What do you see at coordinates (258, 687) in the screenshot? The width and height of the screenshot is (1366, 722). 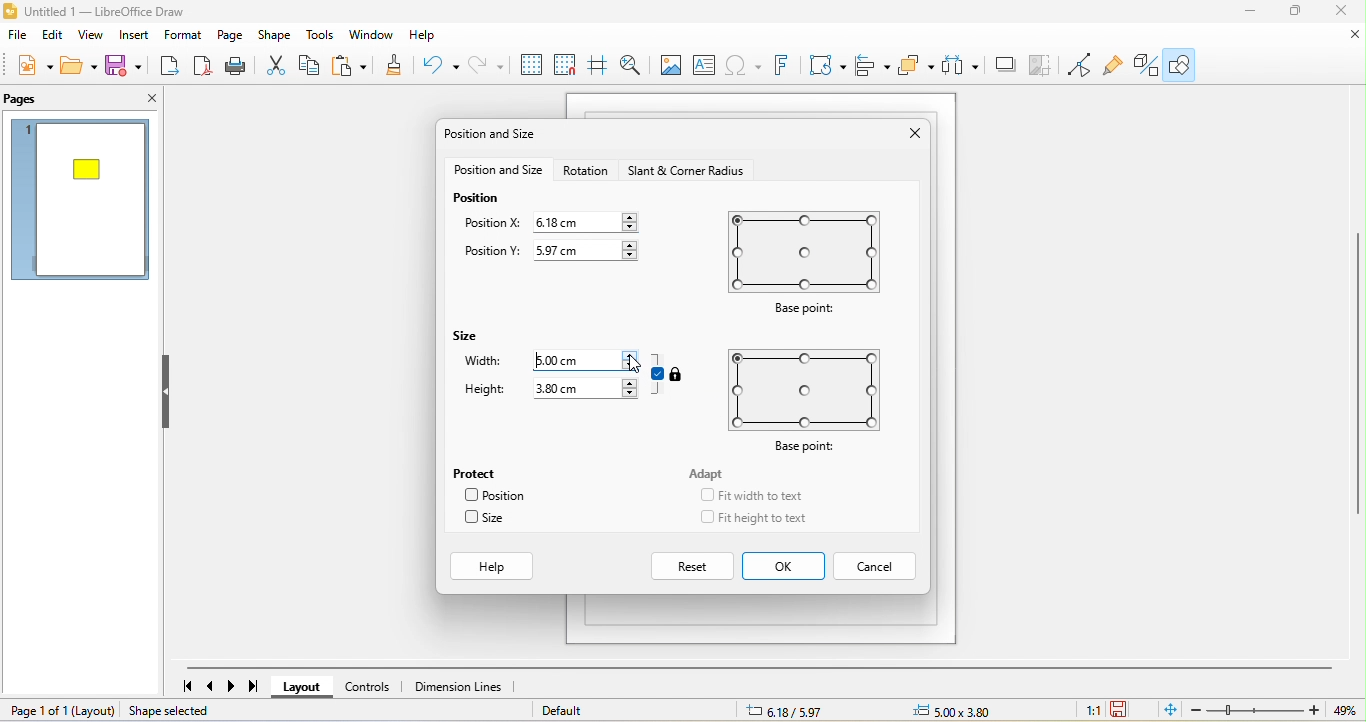 I see `last page` at bounding box center [258, 687].